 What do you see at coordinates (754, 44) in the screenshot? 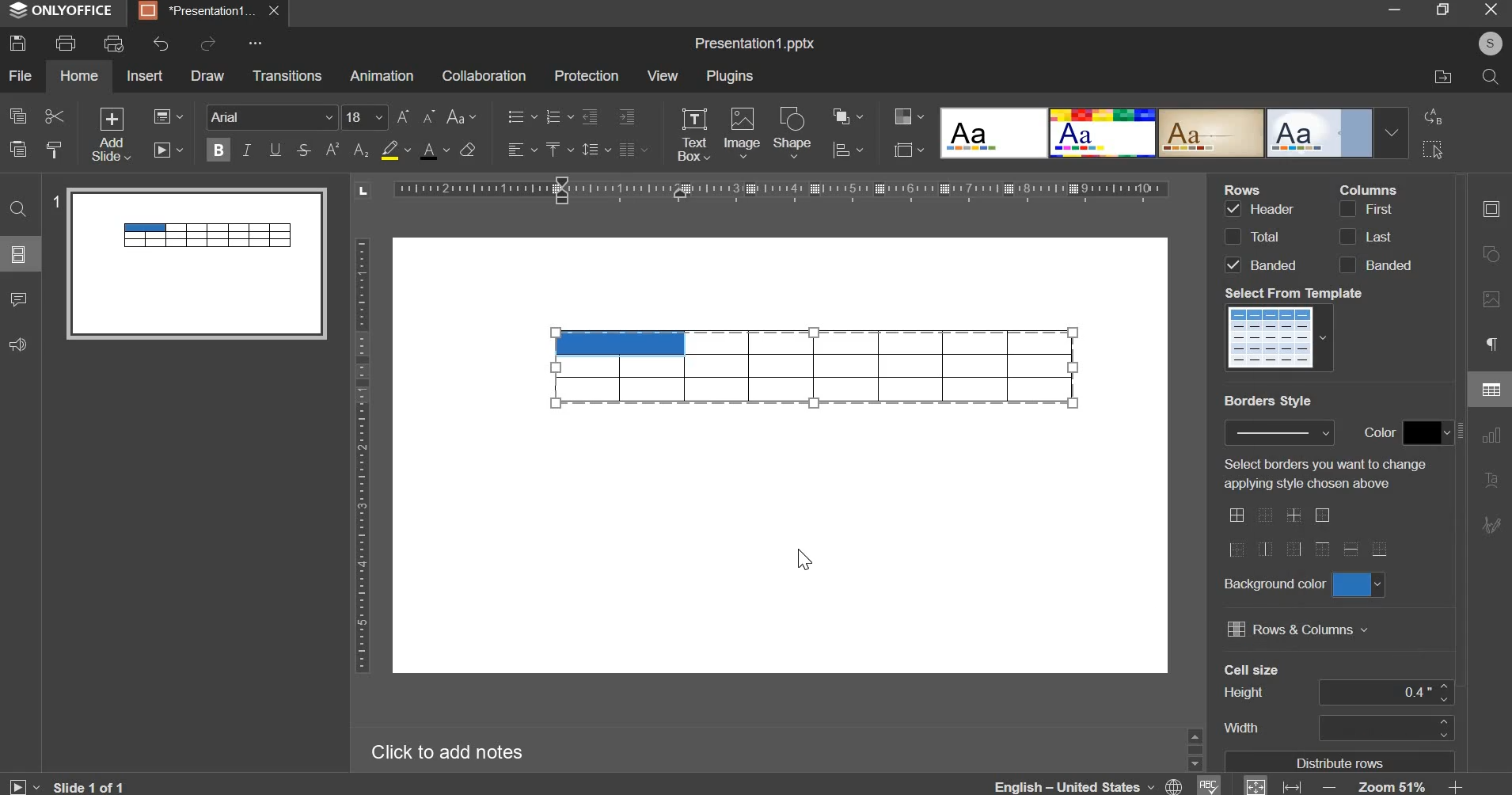
I see `Title` at bounding box center [754, 44].